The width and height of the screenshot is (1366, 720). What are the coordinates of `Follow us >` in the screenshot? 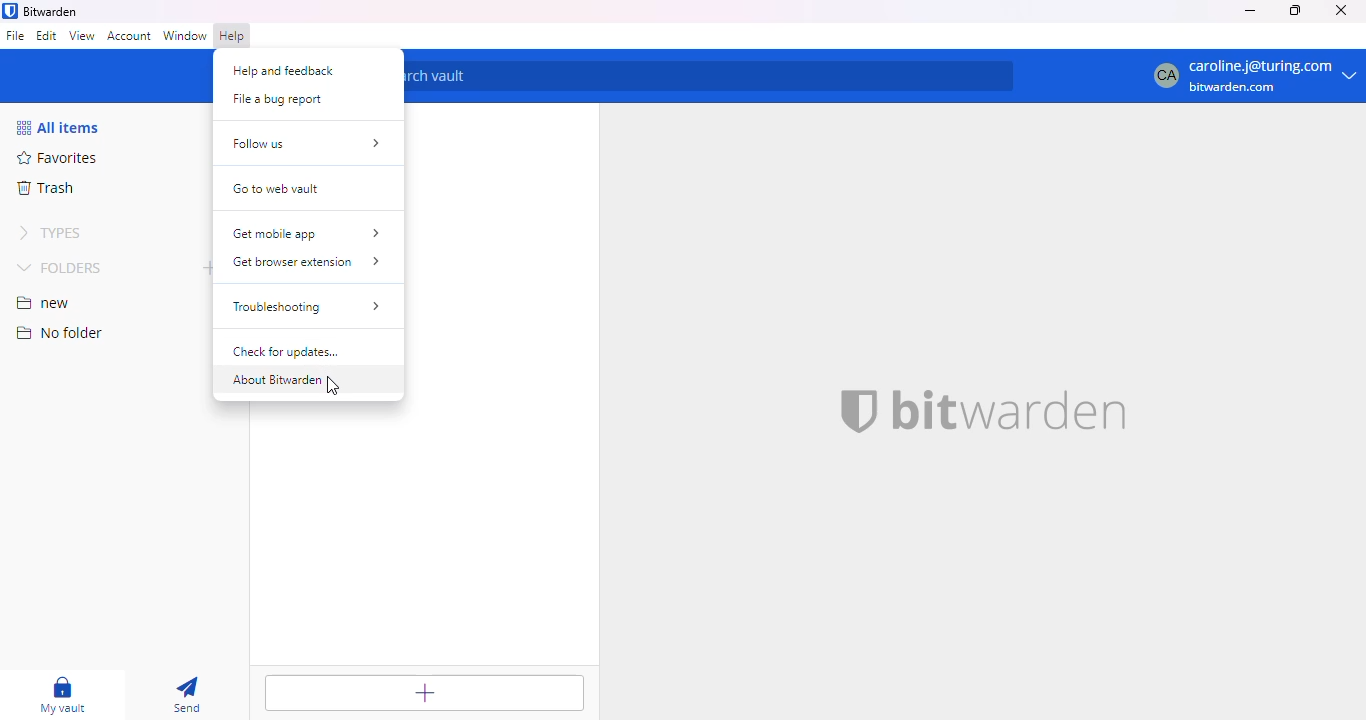 It's located at (304, 145).